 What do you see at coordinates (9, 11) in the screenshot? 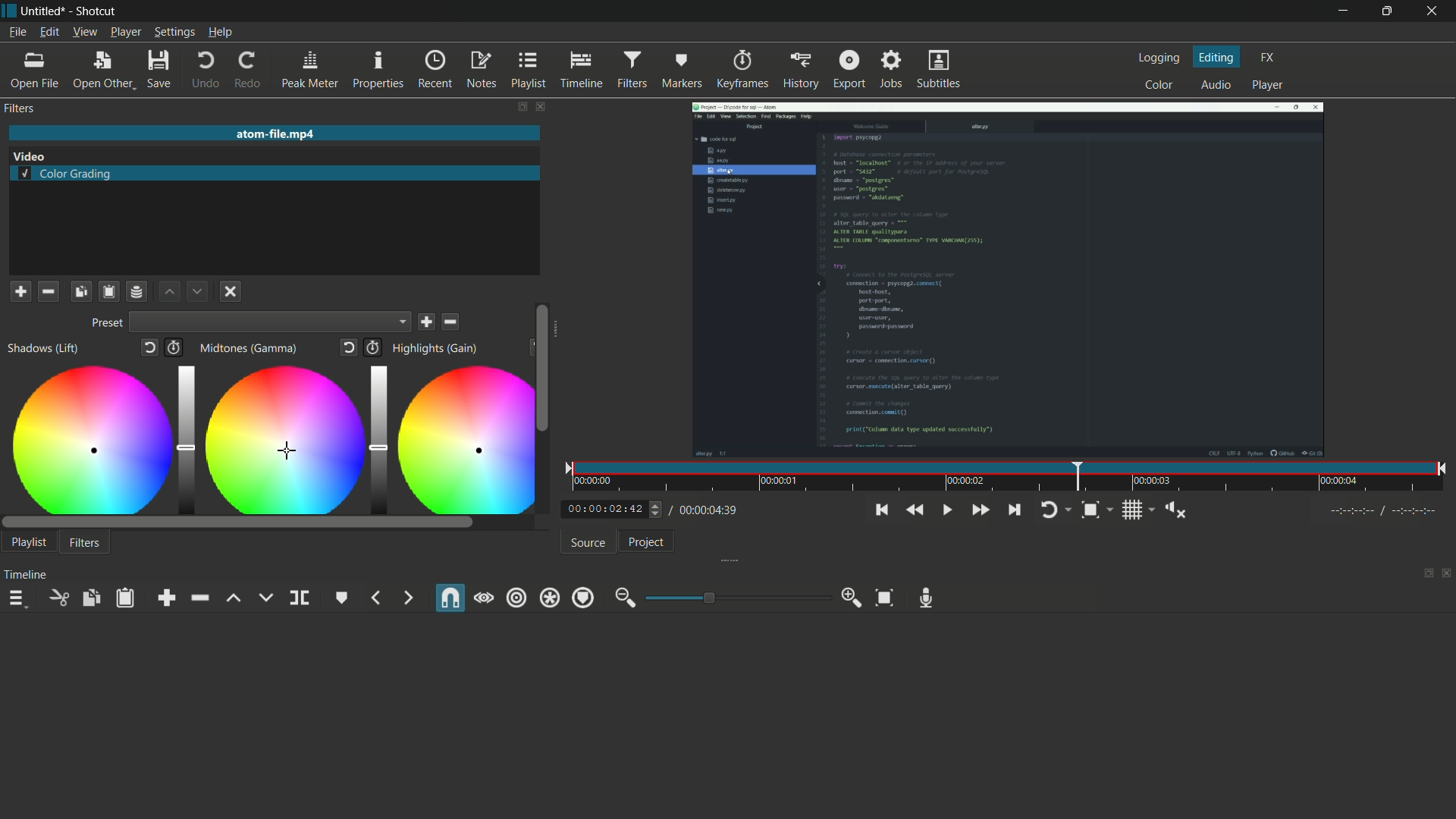
I see `app icon` at bounding box center [9, 11].